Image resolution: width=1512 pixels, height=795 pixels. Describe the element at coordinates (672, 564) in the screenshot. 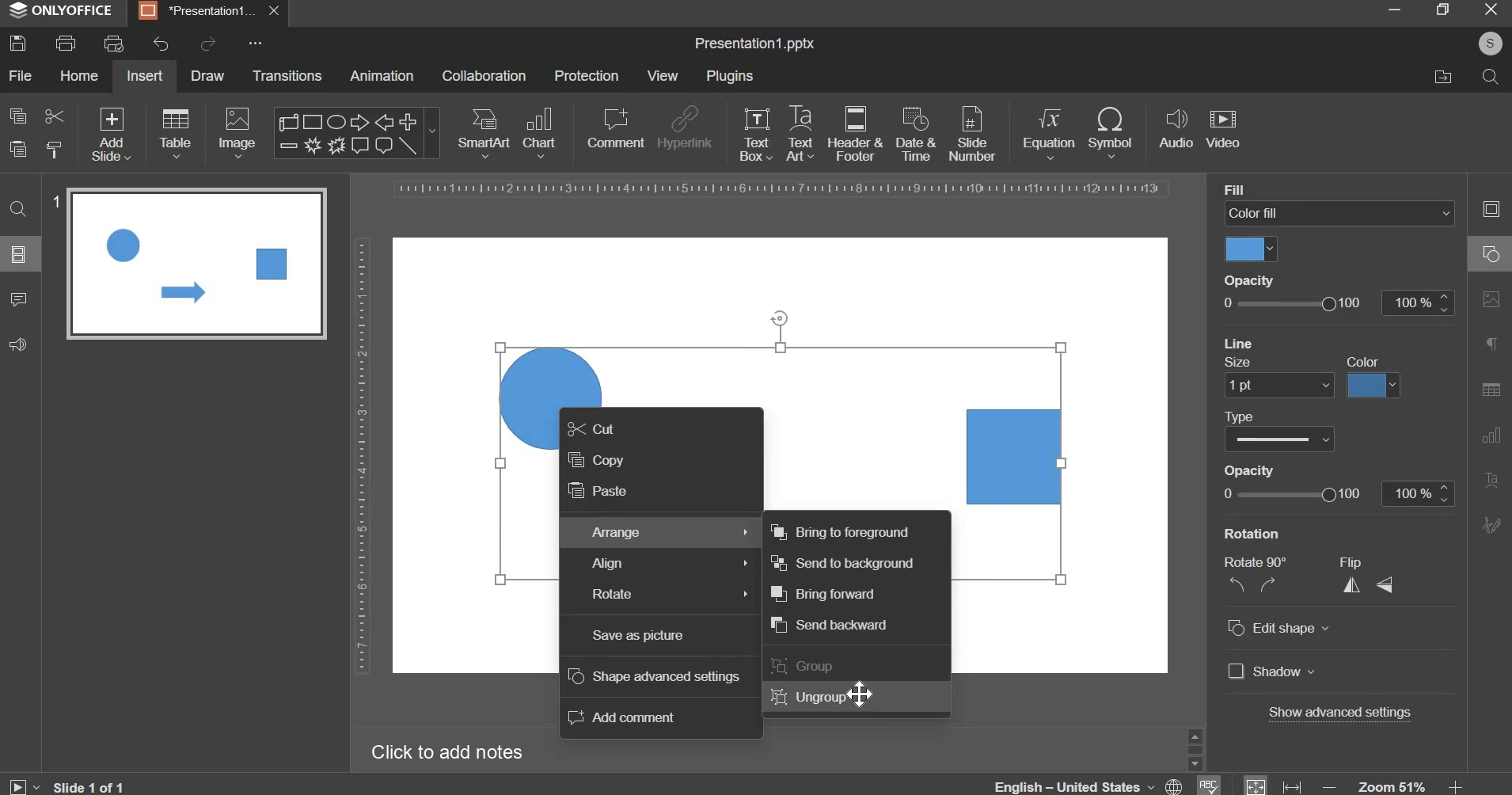

I see `align` at that location.